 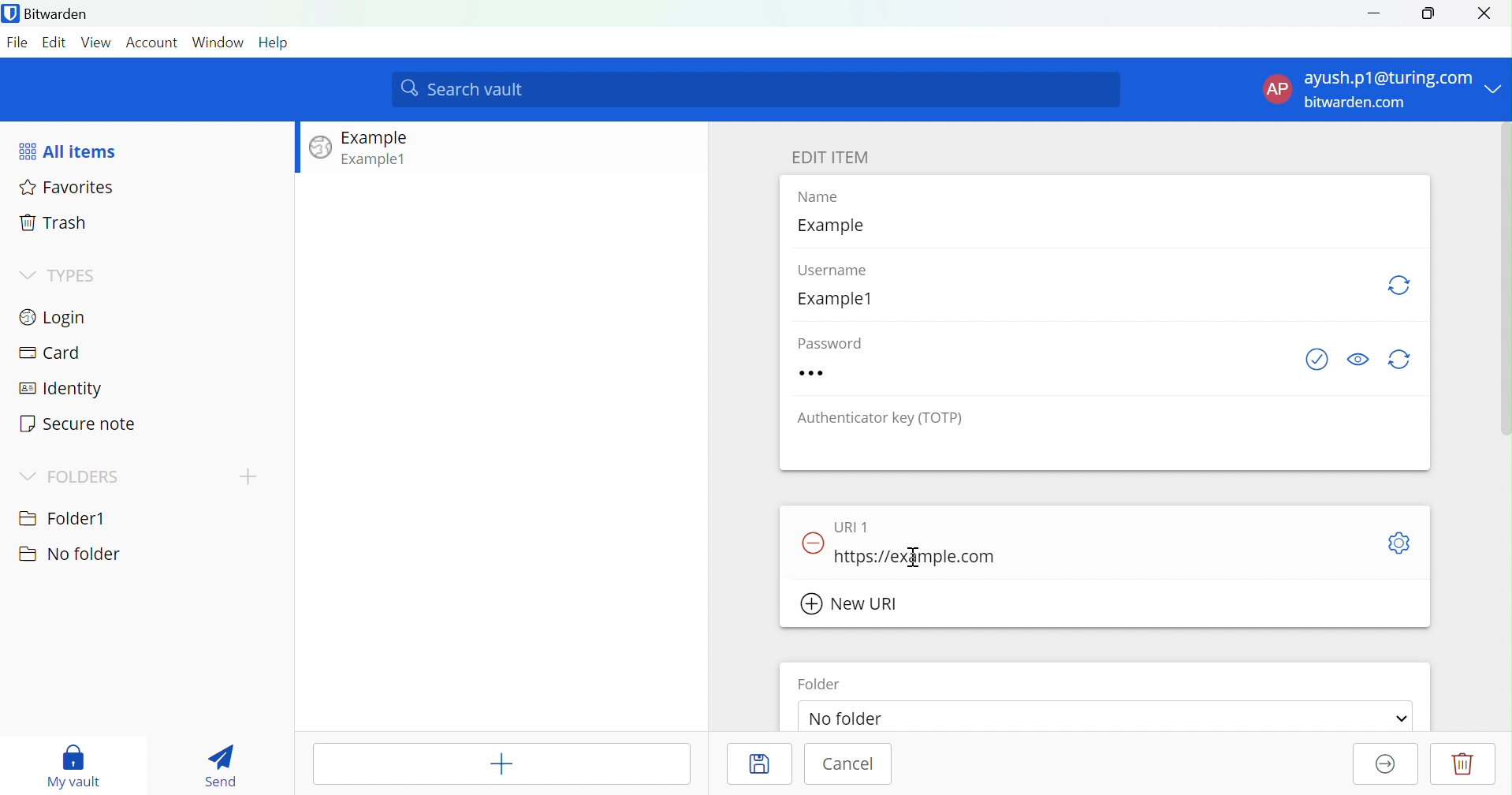 I want to click on FOLDERS, so click(x=84, y=478).